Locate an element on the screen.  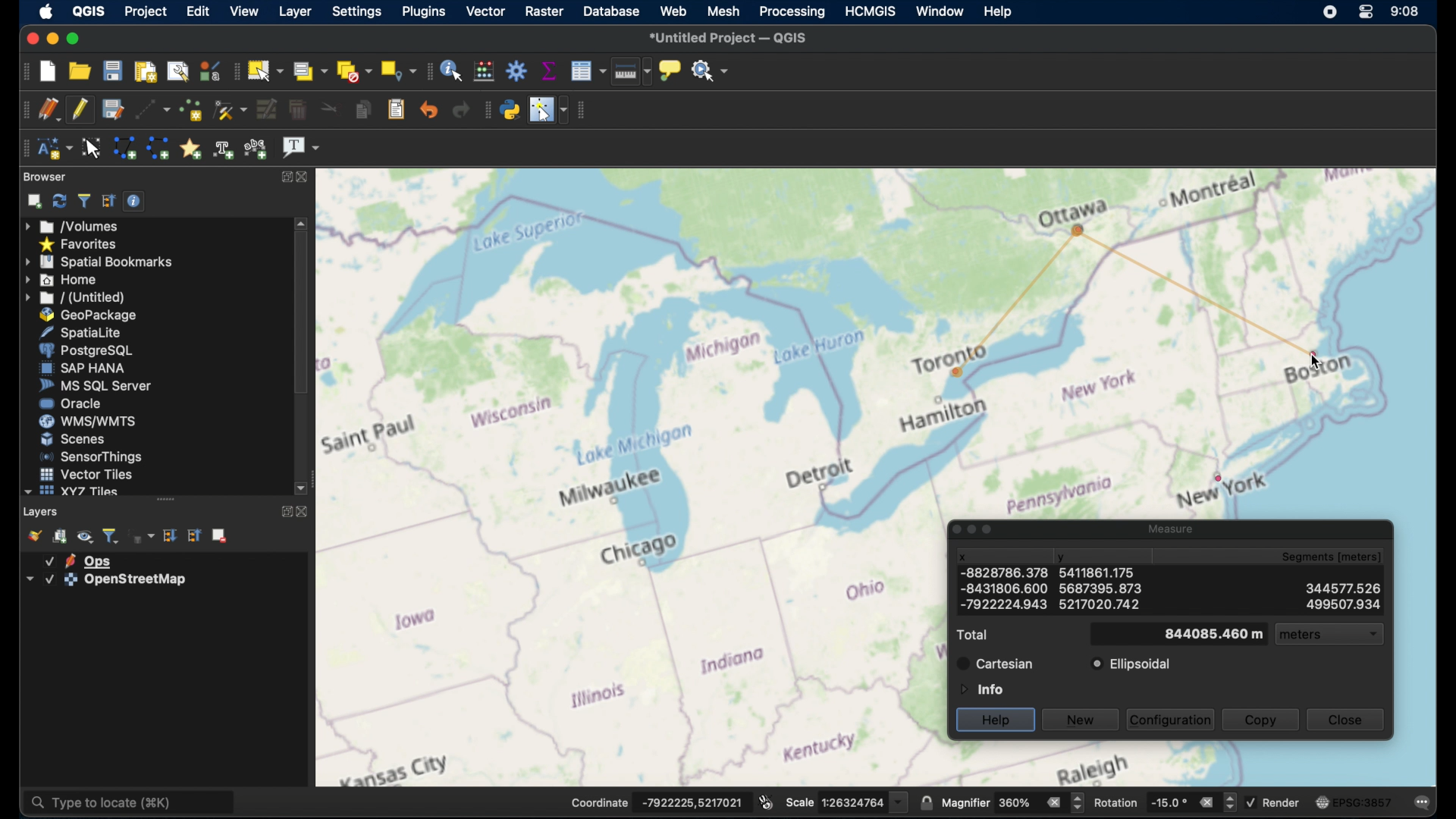
text annotation is located at coordinates (301, 149).